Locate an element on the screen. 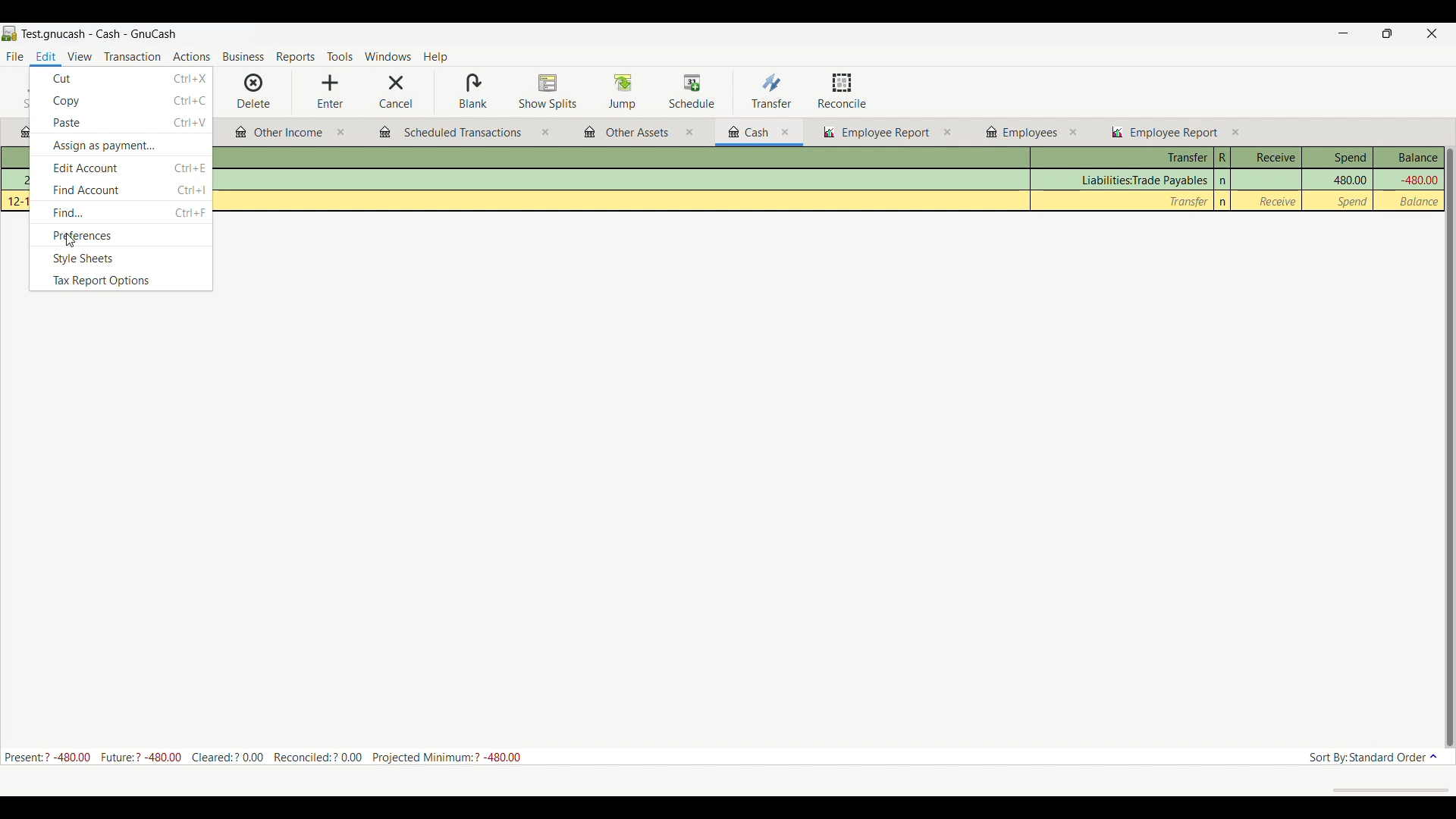  Copy is located at coordinates (120, 101).